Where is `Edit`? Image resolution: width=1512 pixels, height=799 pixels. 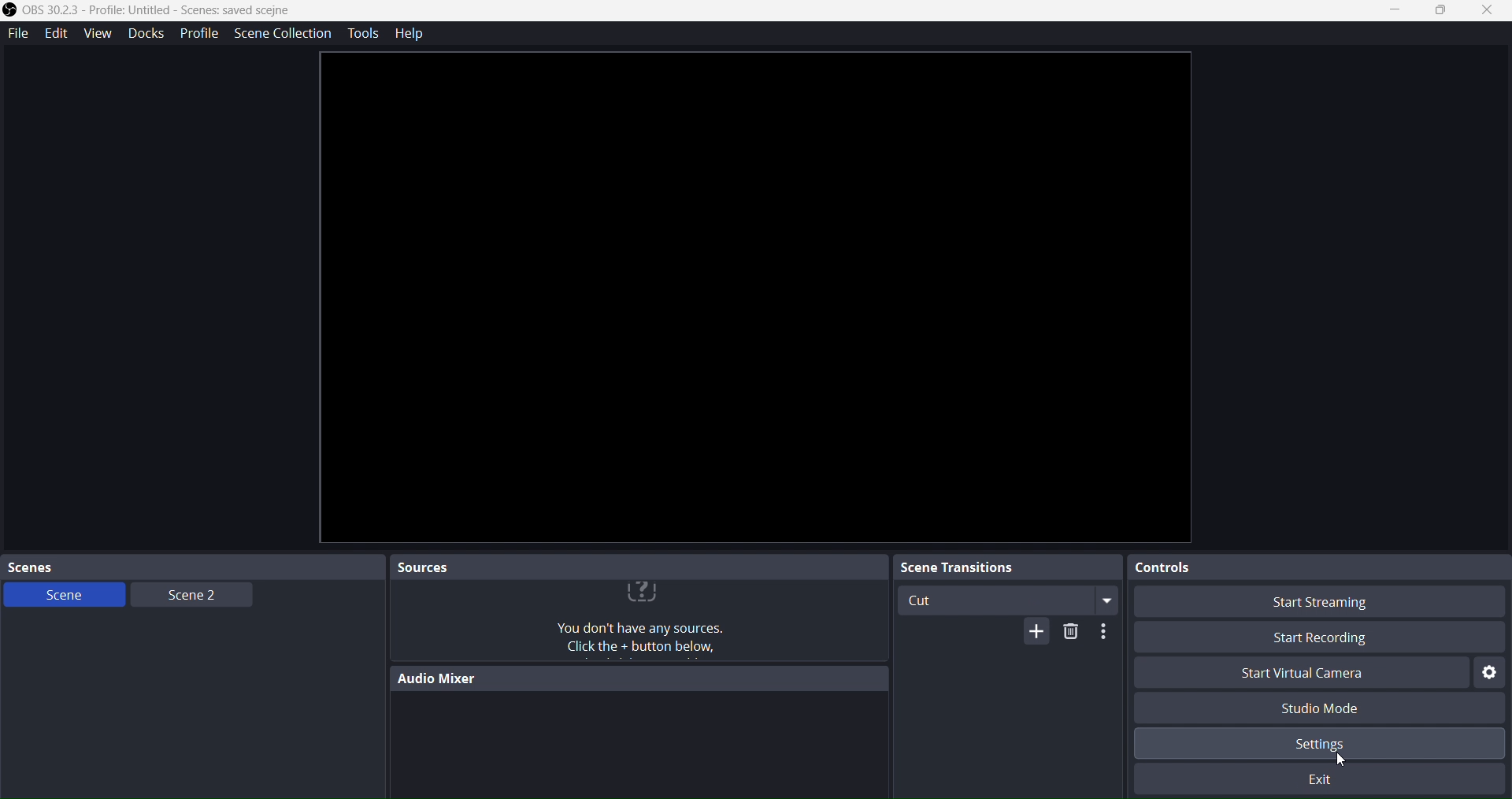
Edit is located at coordinates (57, 33).